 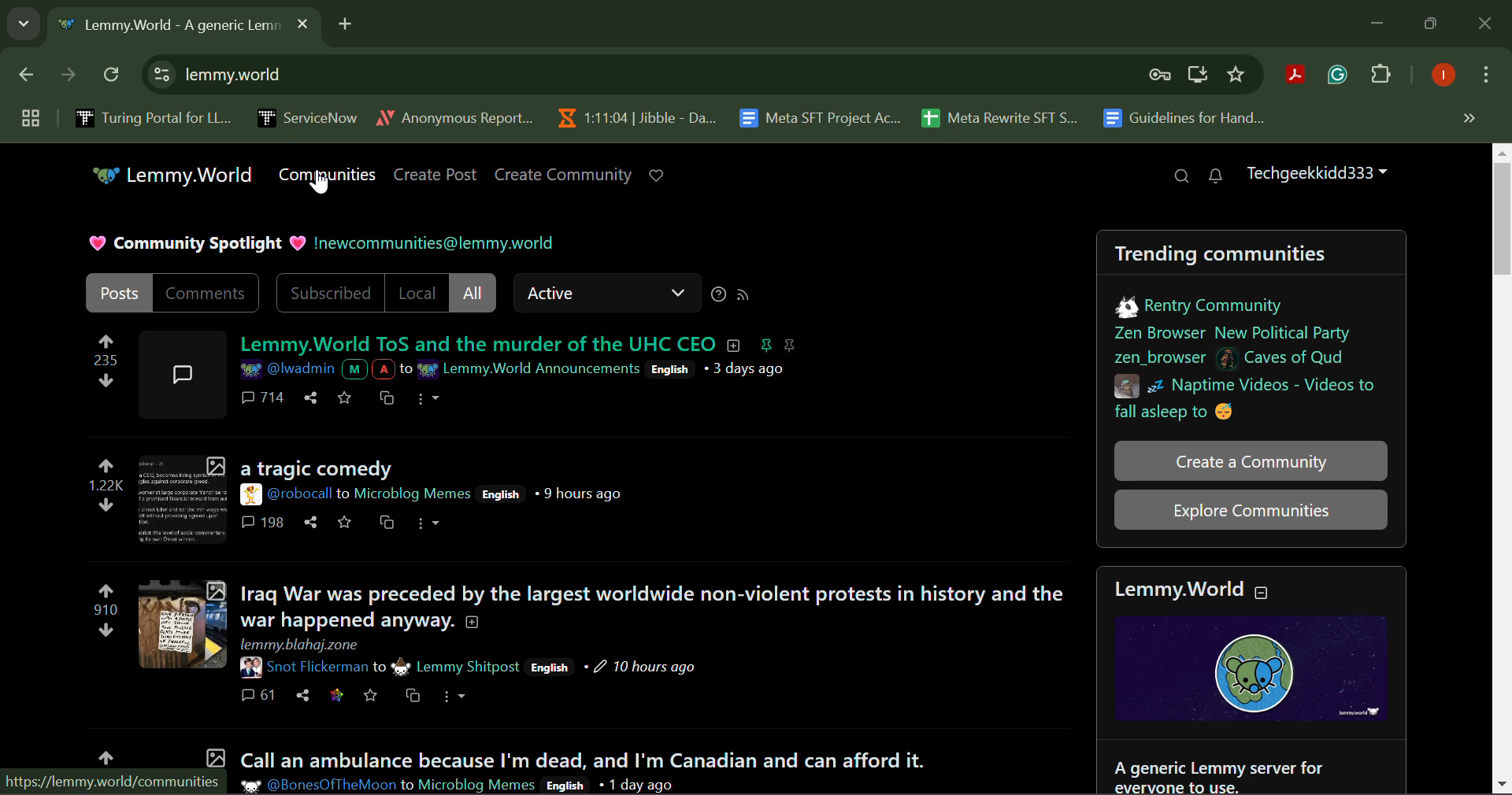 What do you see at coordinates (1251, 508) in the screenshot?
I see `Explore Communities` at bounding box center [1251, 508].